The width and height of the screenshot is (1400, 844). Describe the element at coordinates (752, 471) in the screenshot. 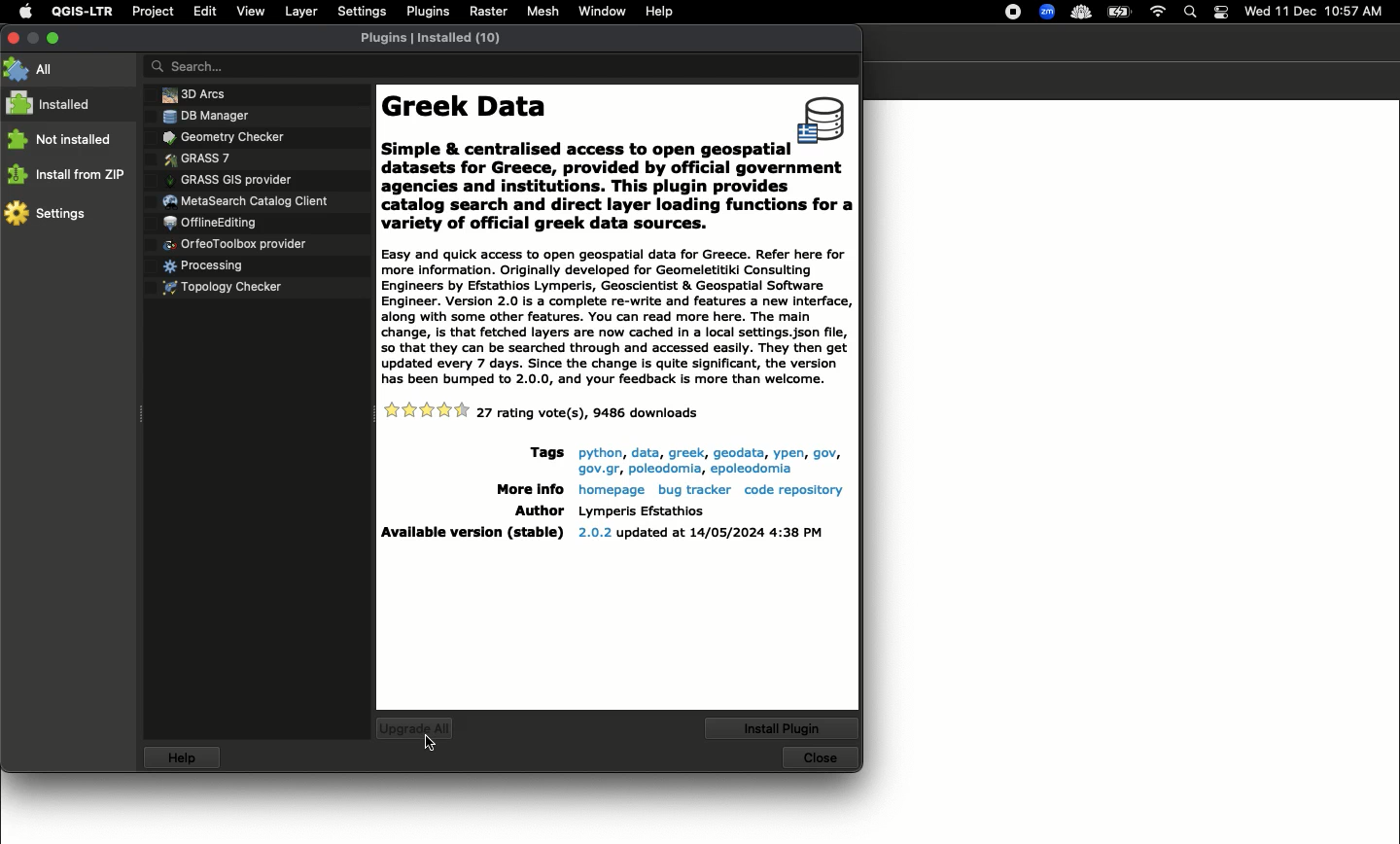

I see `epoleodomia` at that location.